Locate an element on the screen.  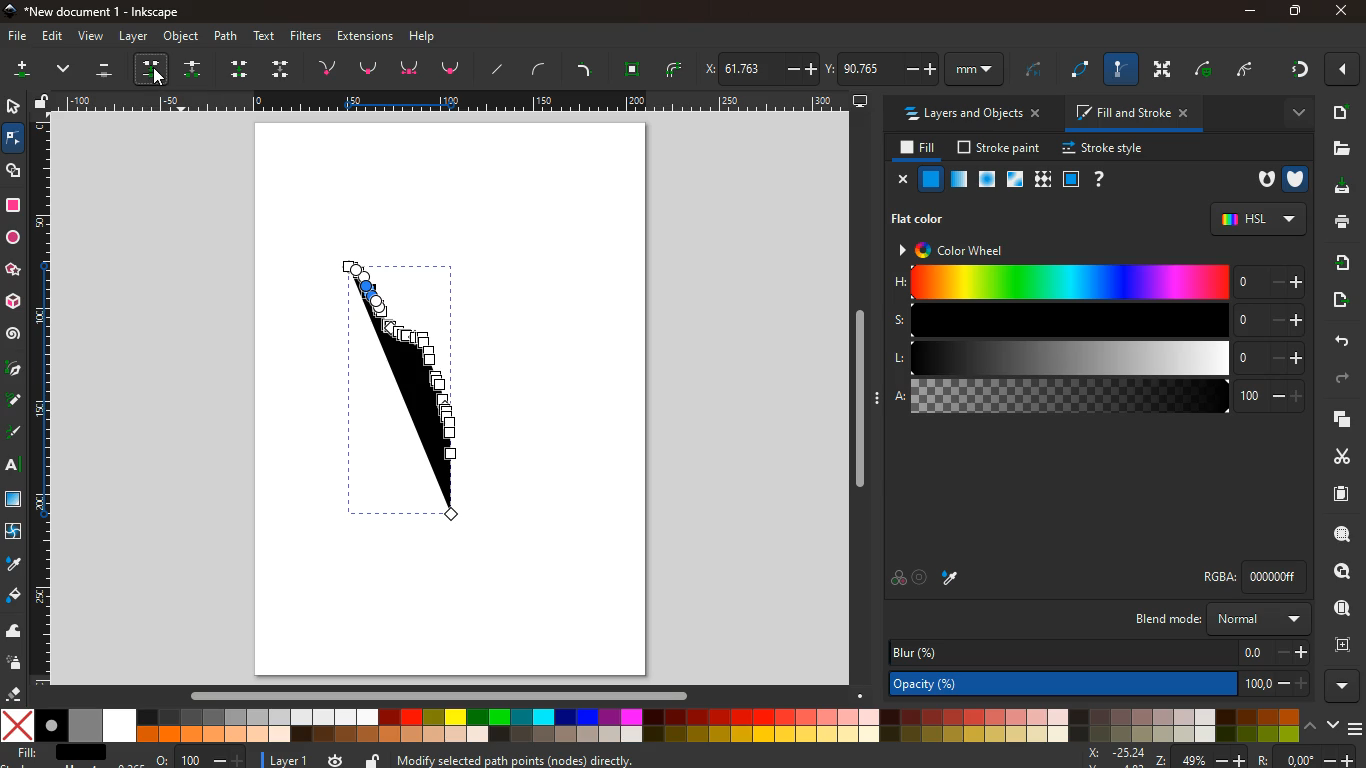
l is located at coordinates (1094, 358).